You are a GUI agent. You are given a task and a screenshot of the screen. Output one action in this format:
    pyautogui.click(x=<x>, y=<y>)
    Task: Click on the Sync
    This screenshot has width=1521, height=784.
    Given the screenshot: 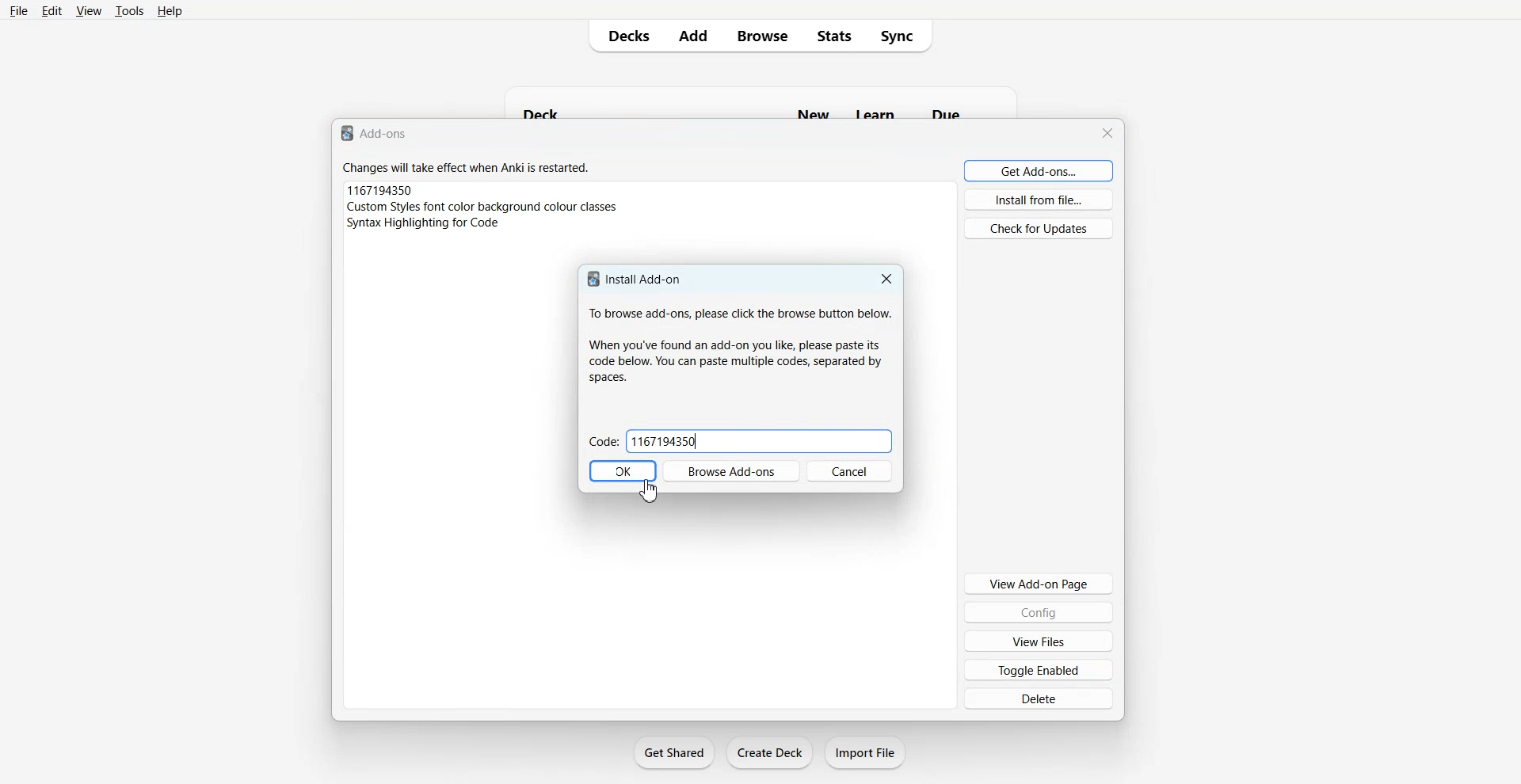 What is the action you would take?
    pyautogui.click(x=904, y=36)
    